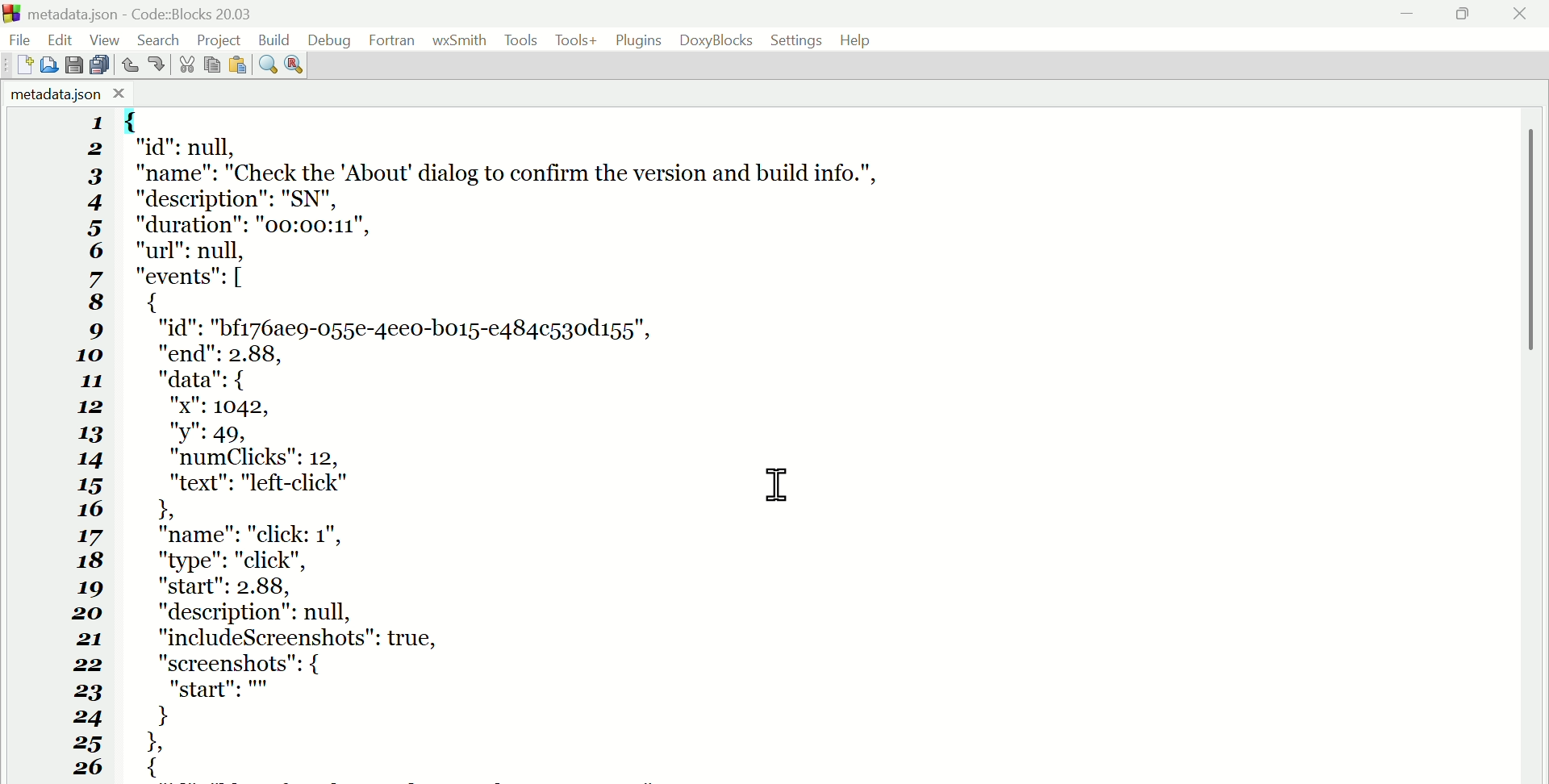 The width and height of the screenshot is (1549, 784). Describe the element at coordinates (575, 42) in the screenshot. I see `Tools` at that location.